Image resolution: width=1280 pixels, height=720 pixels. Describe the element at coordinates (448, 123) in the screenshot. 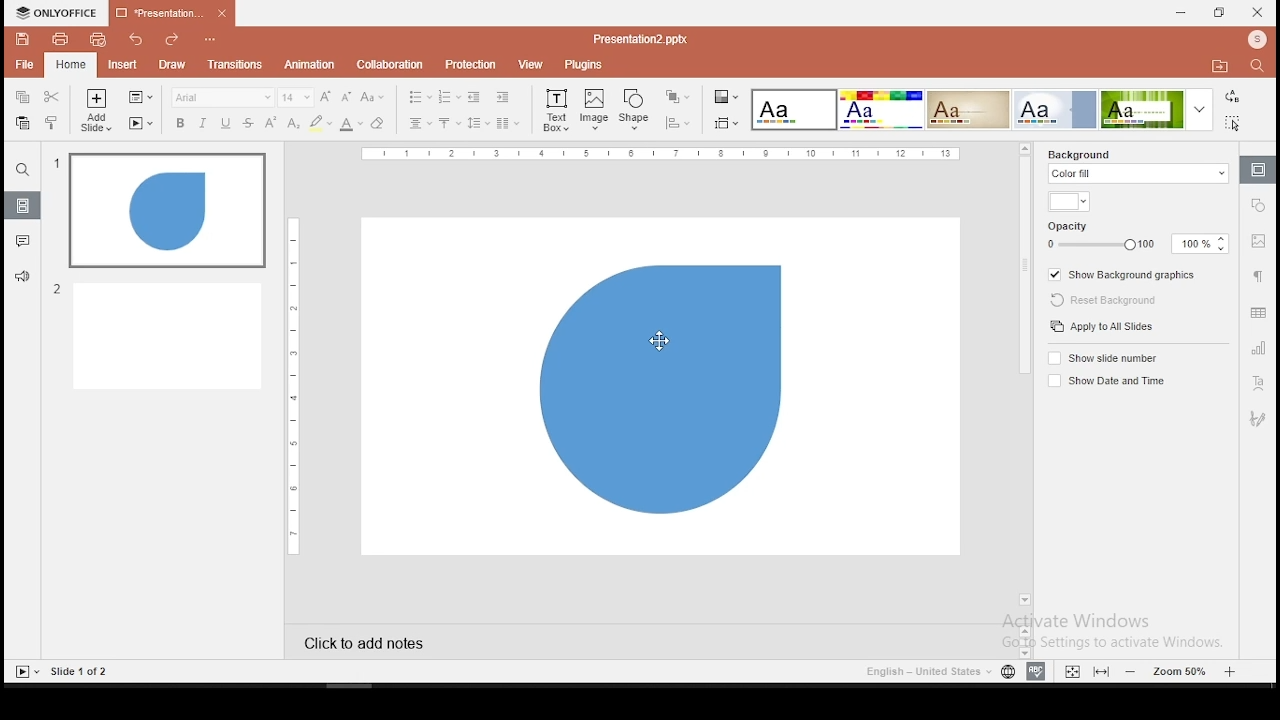

I see `vertical alignment` at that location.